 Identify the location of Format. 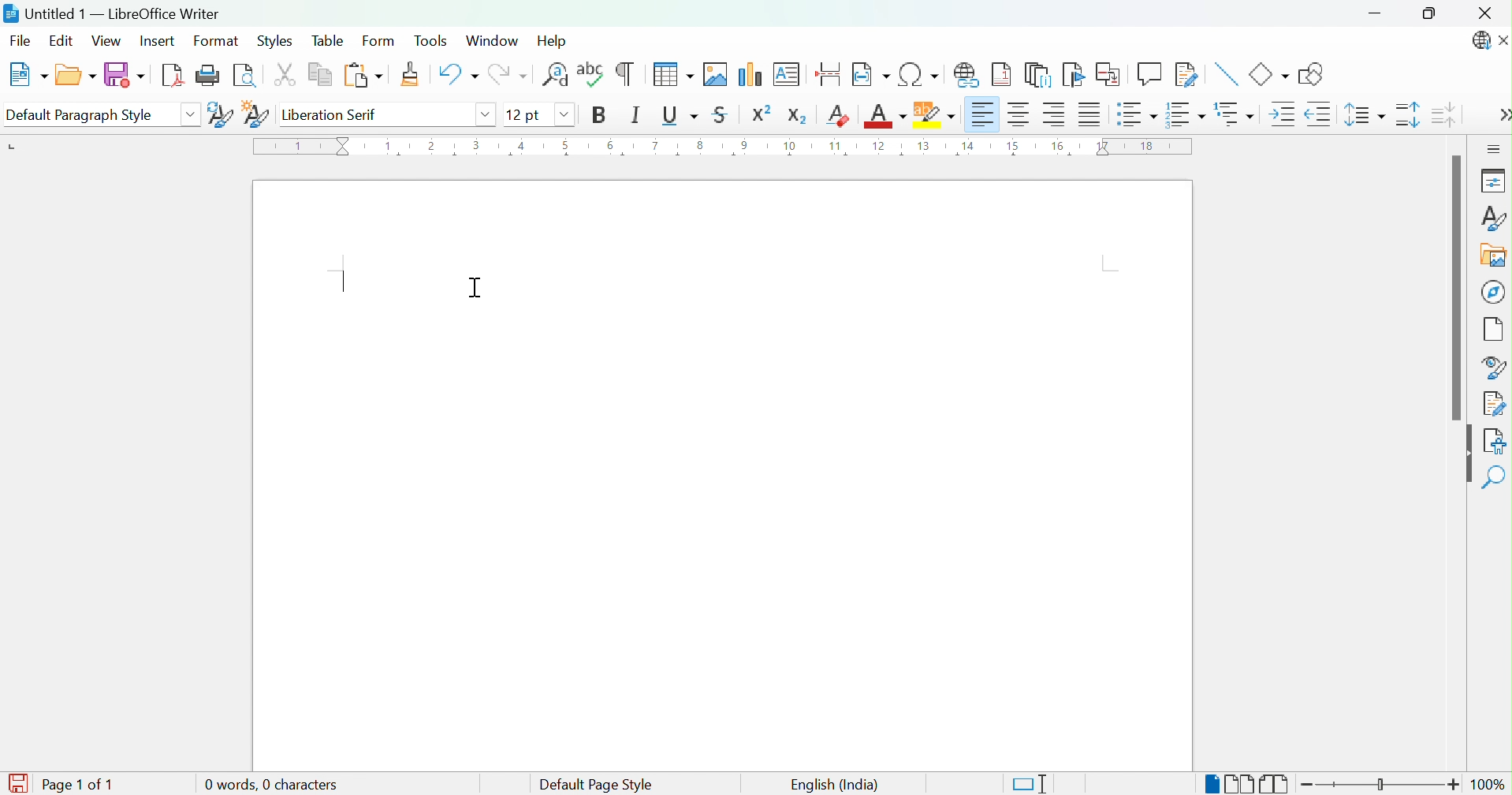
(214, 42).